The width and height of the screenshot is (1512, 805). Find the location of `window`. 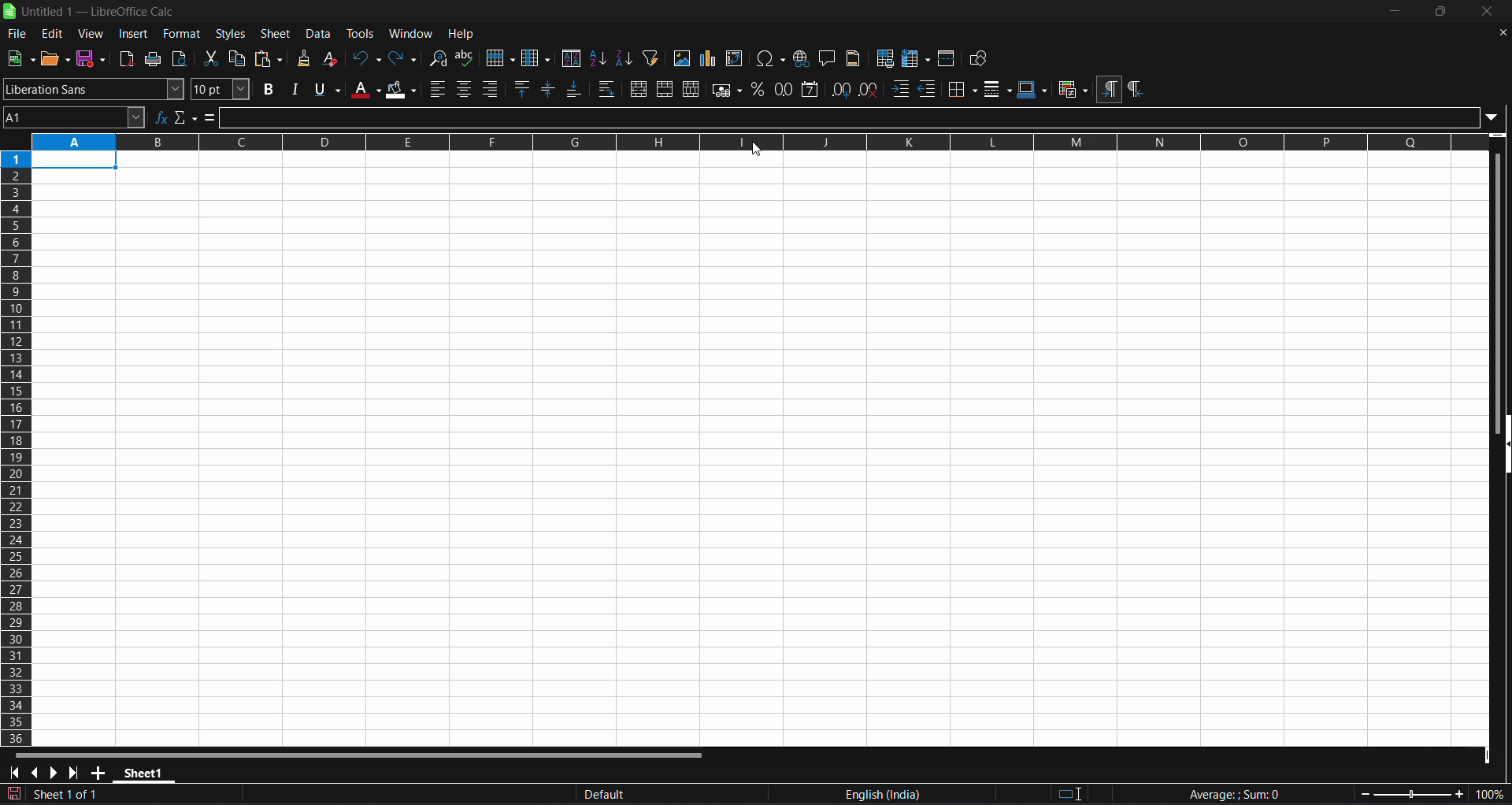

window is located at coordinates (411, 34).